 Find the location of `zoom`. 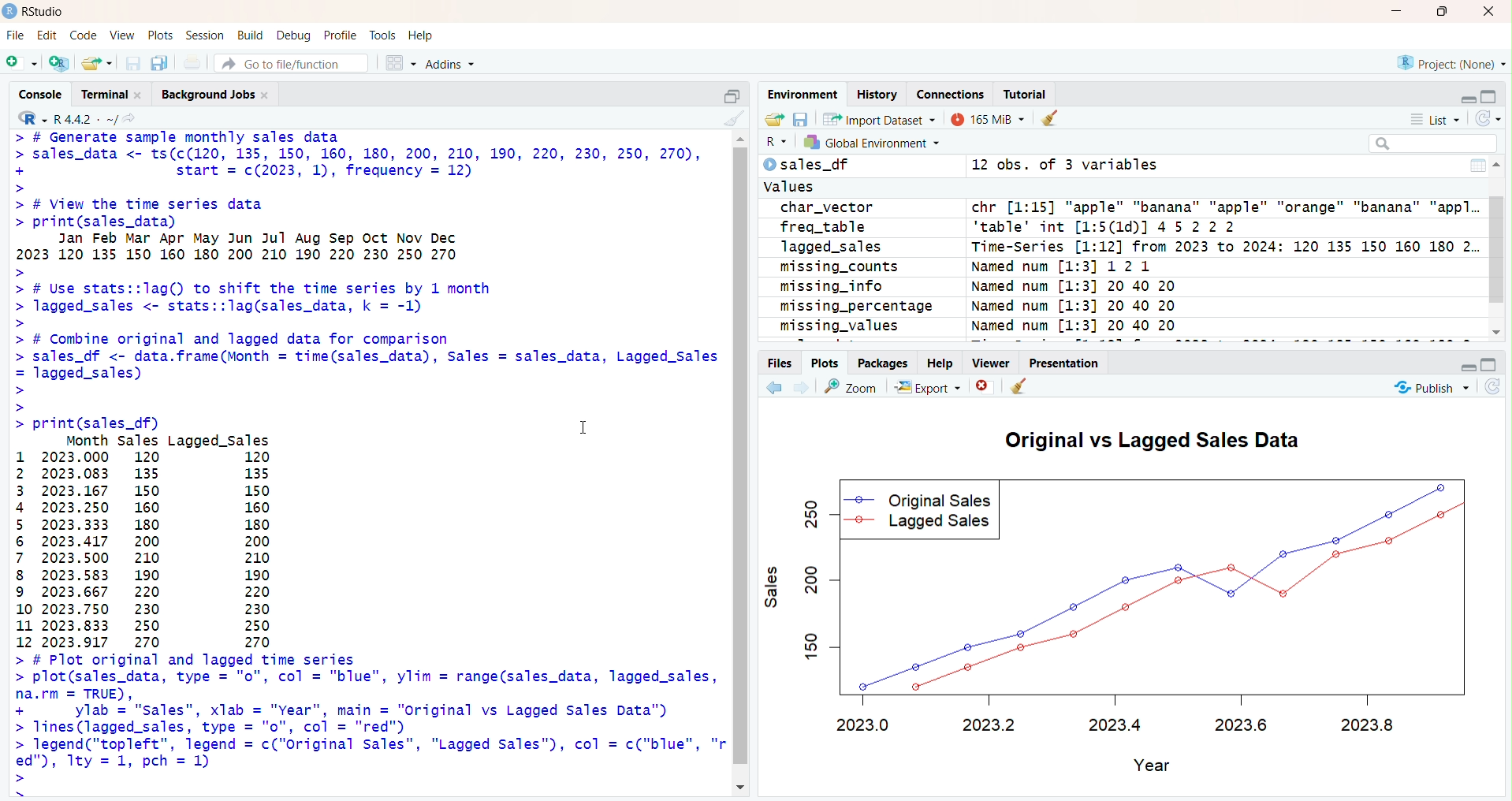

zoom is located at coordinates (851, 387).